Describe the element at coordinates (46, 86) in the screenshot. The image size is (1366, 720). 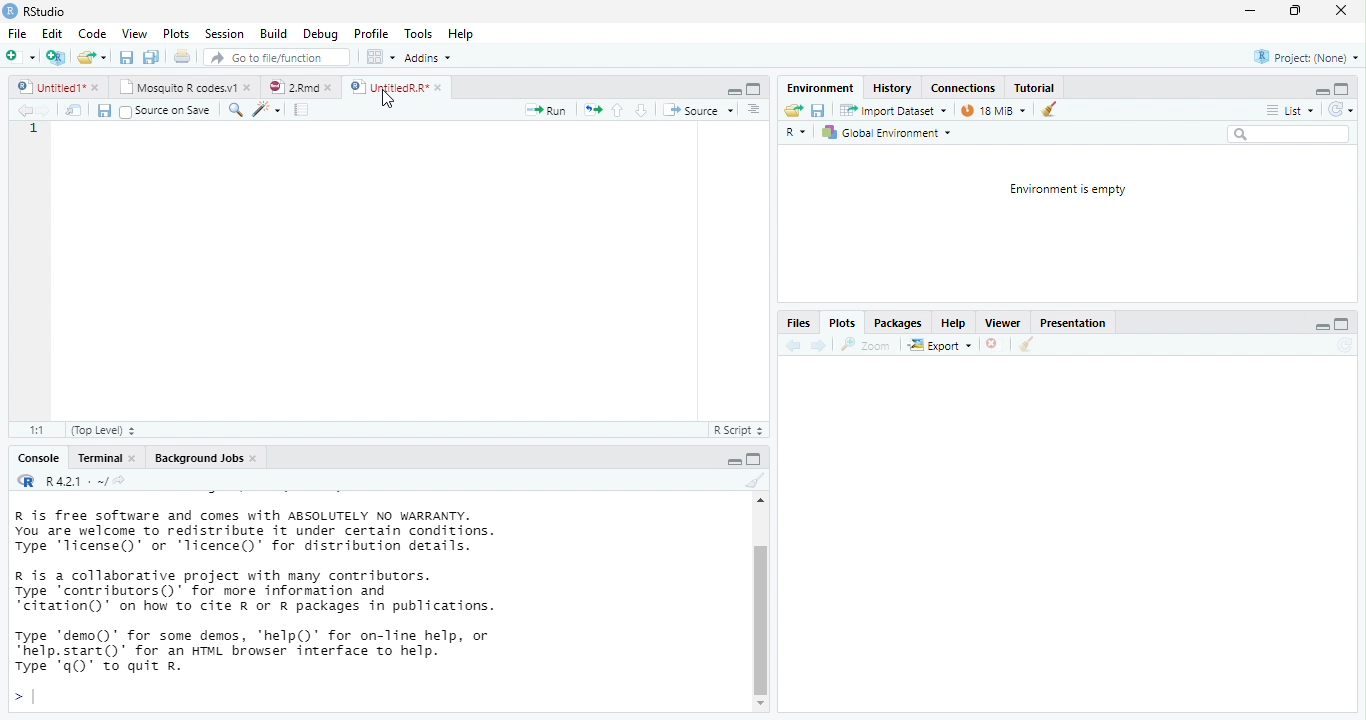
I see `untitled 1` at that location.